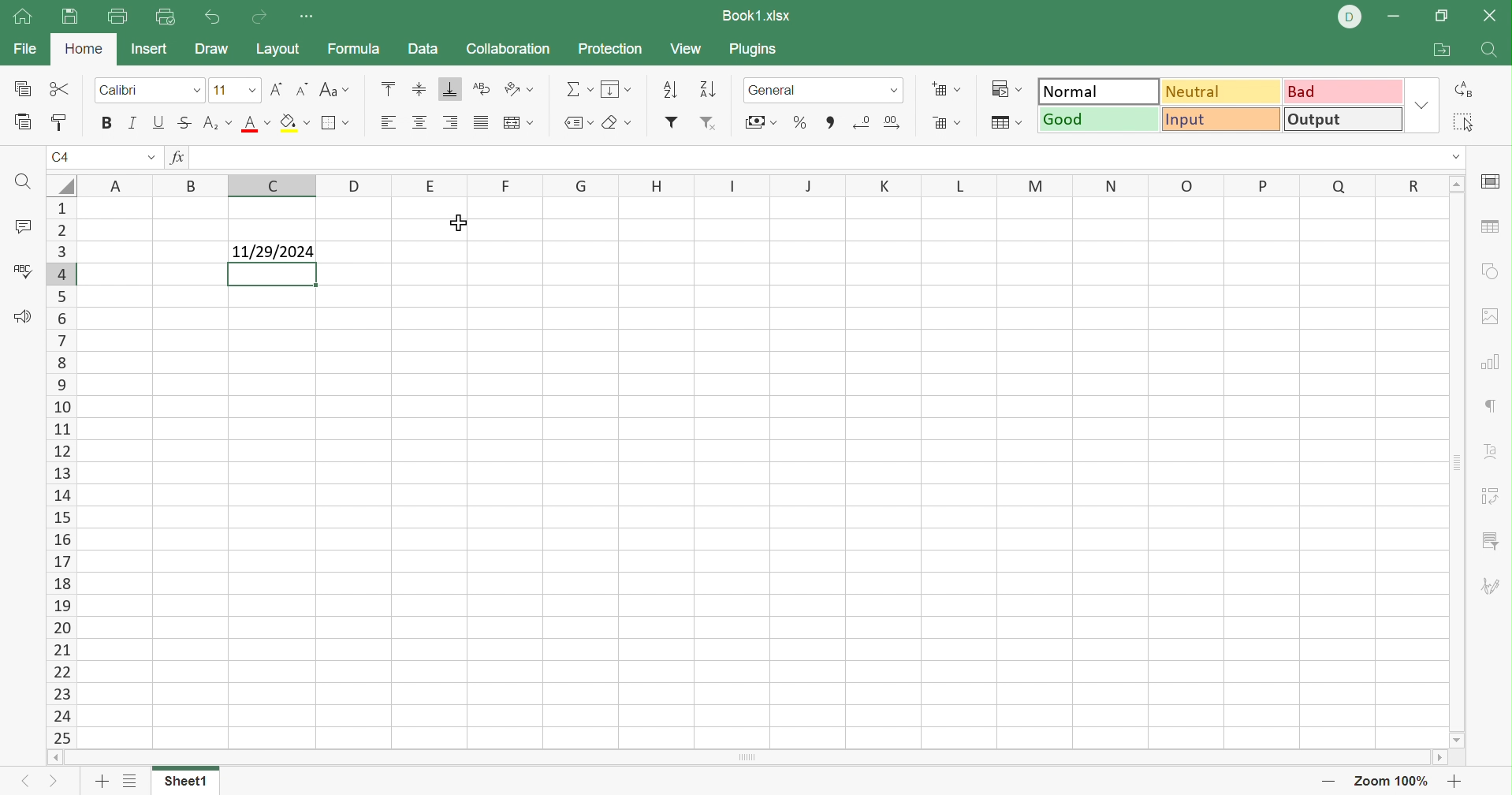 The image size is (1512, 795). What do you see at coordinates (1491, 272) in the screenshot?
I see `shape settings` at bounding box center [1491, 272].